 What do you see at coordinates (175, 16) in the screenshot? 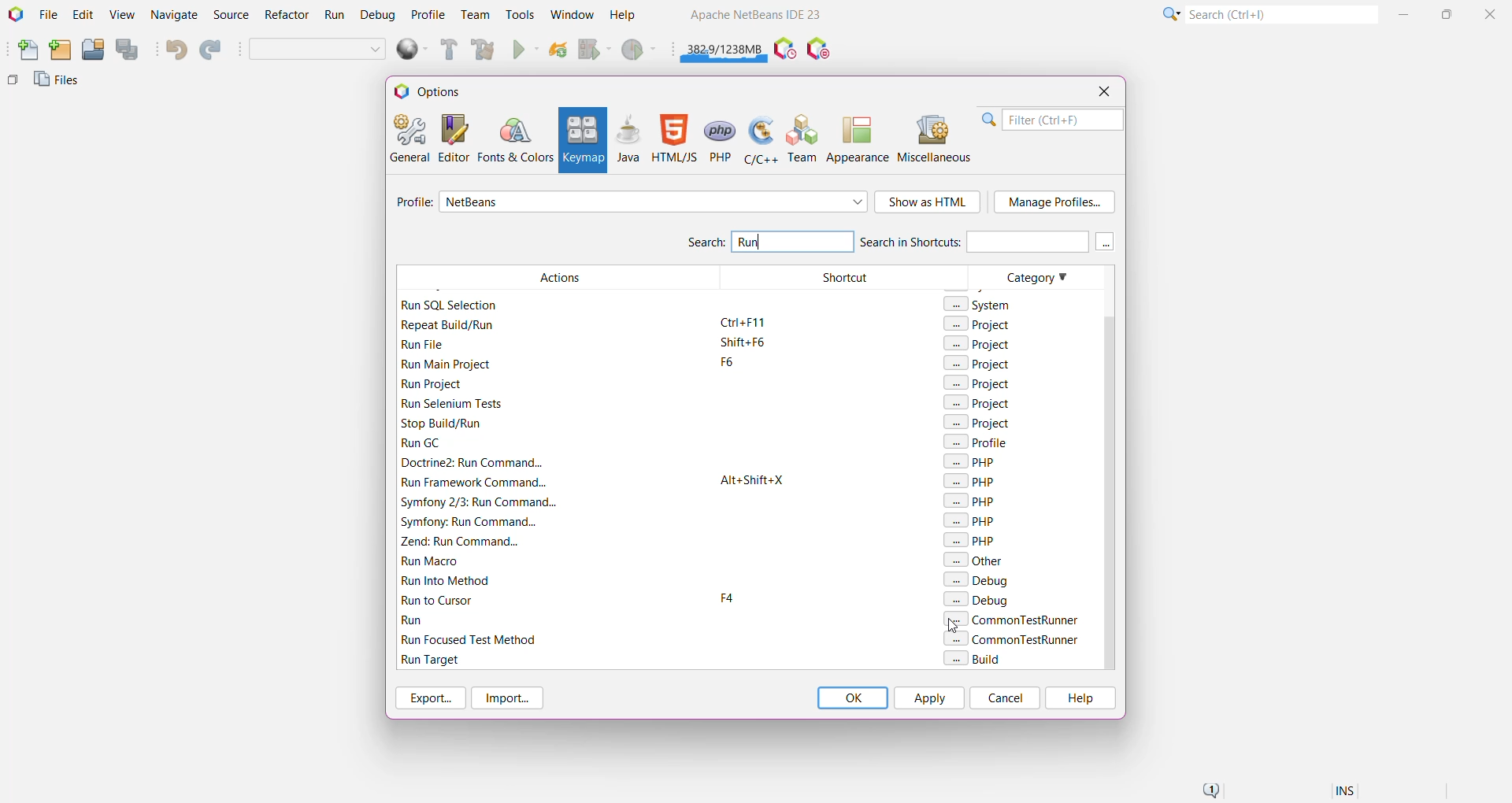
I see `Navigate` at bounding box center [175, 16].